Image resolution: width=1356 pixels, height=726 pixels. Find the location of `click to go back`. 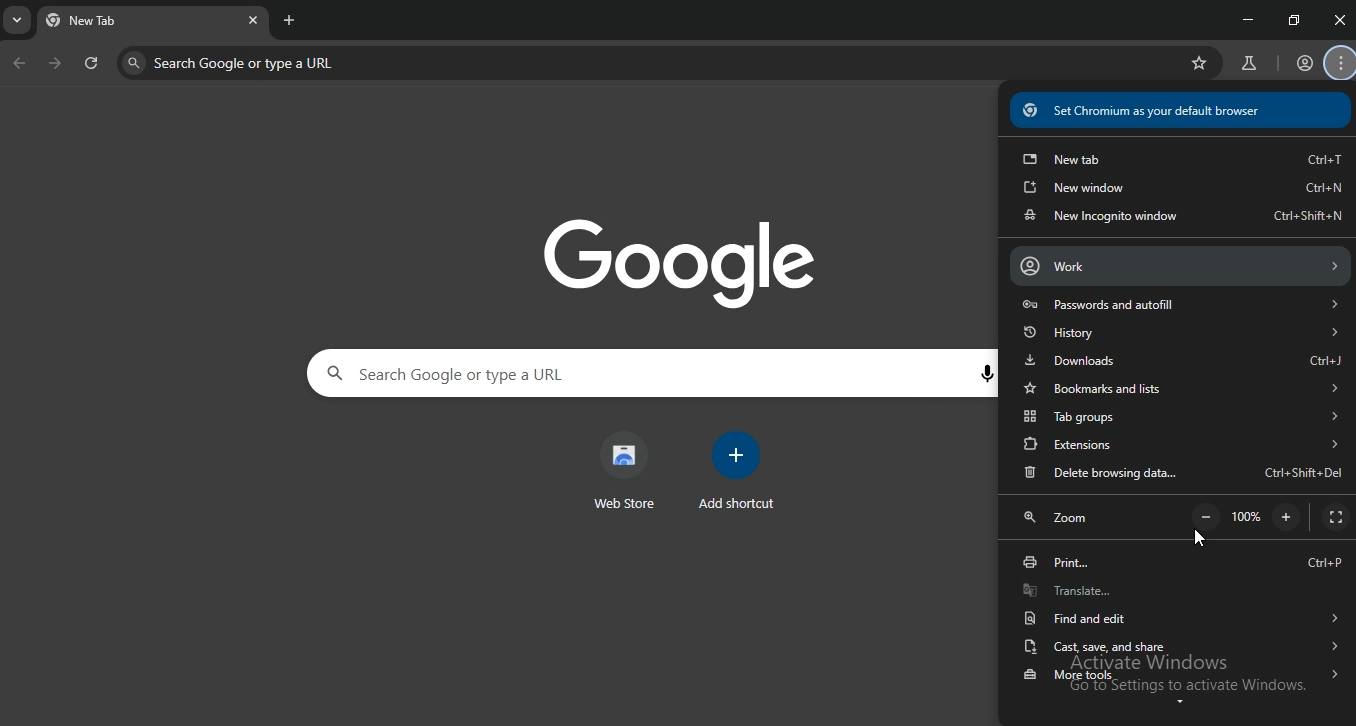

click to go back is located at coordinates (19, 64).